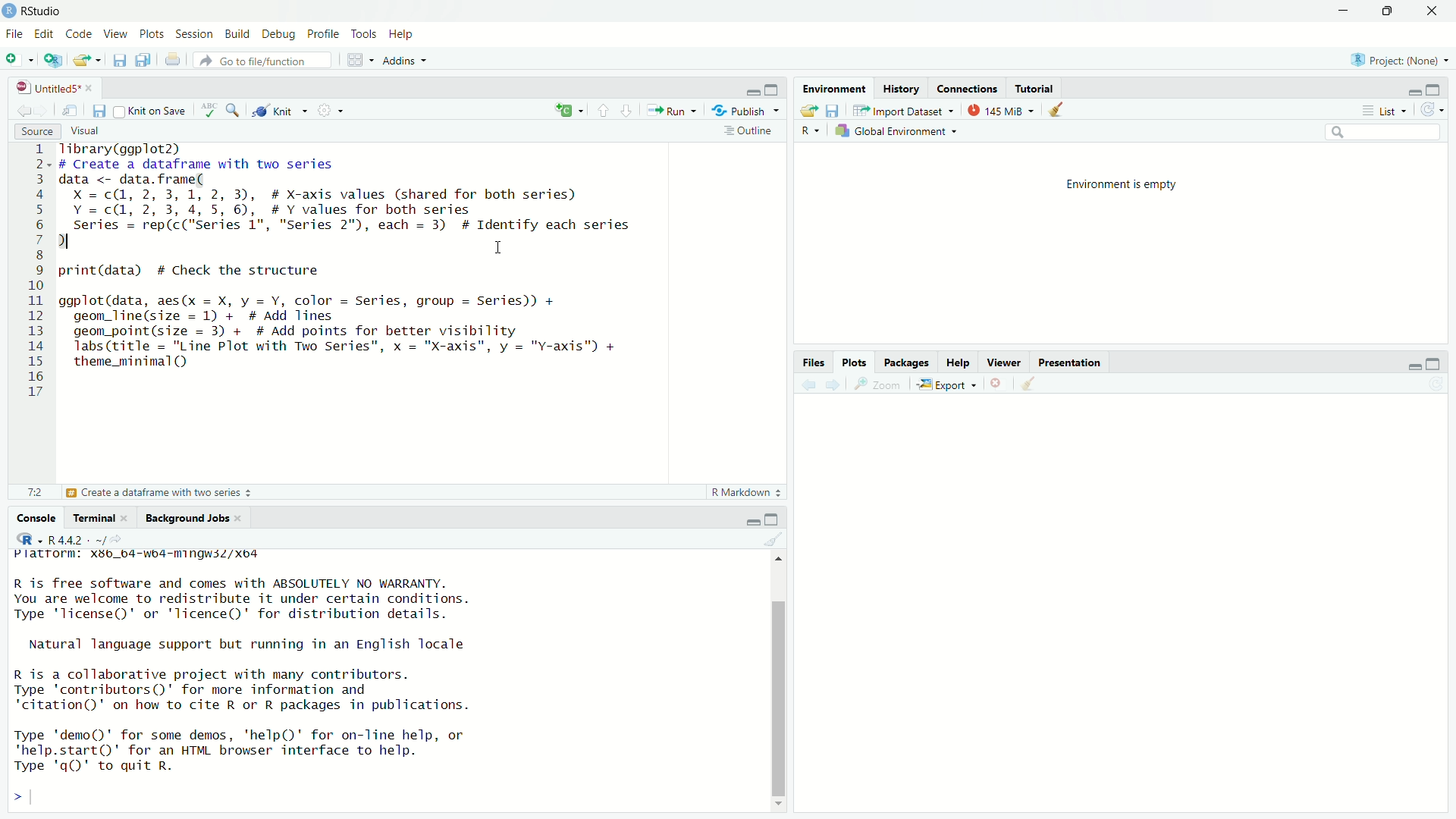 The height and width of the screenshot is (819, 1456). Describe the element at coordinates (1028, 384) in the screenshot. I see `Go back to the previous source selection` at that location.